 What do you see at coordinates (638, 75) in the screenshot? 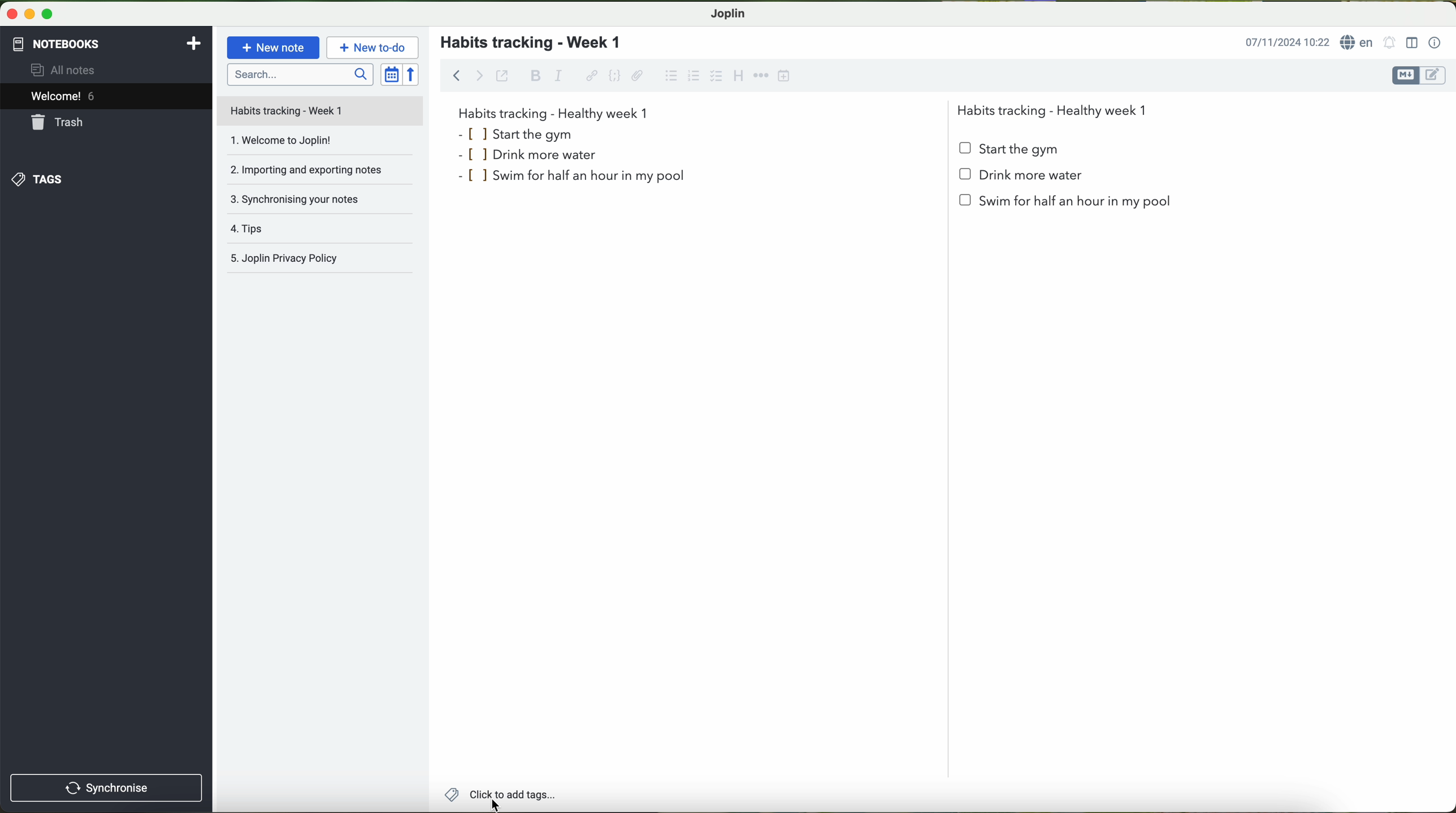
I see `attach file` at bounding box center [638, 75].